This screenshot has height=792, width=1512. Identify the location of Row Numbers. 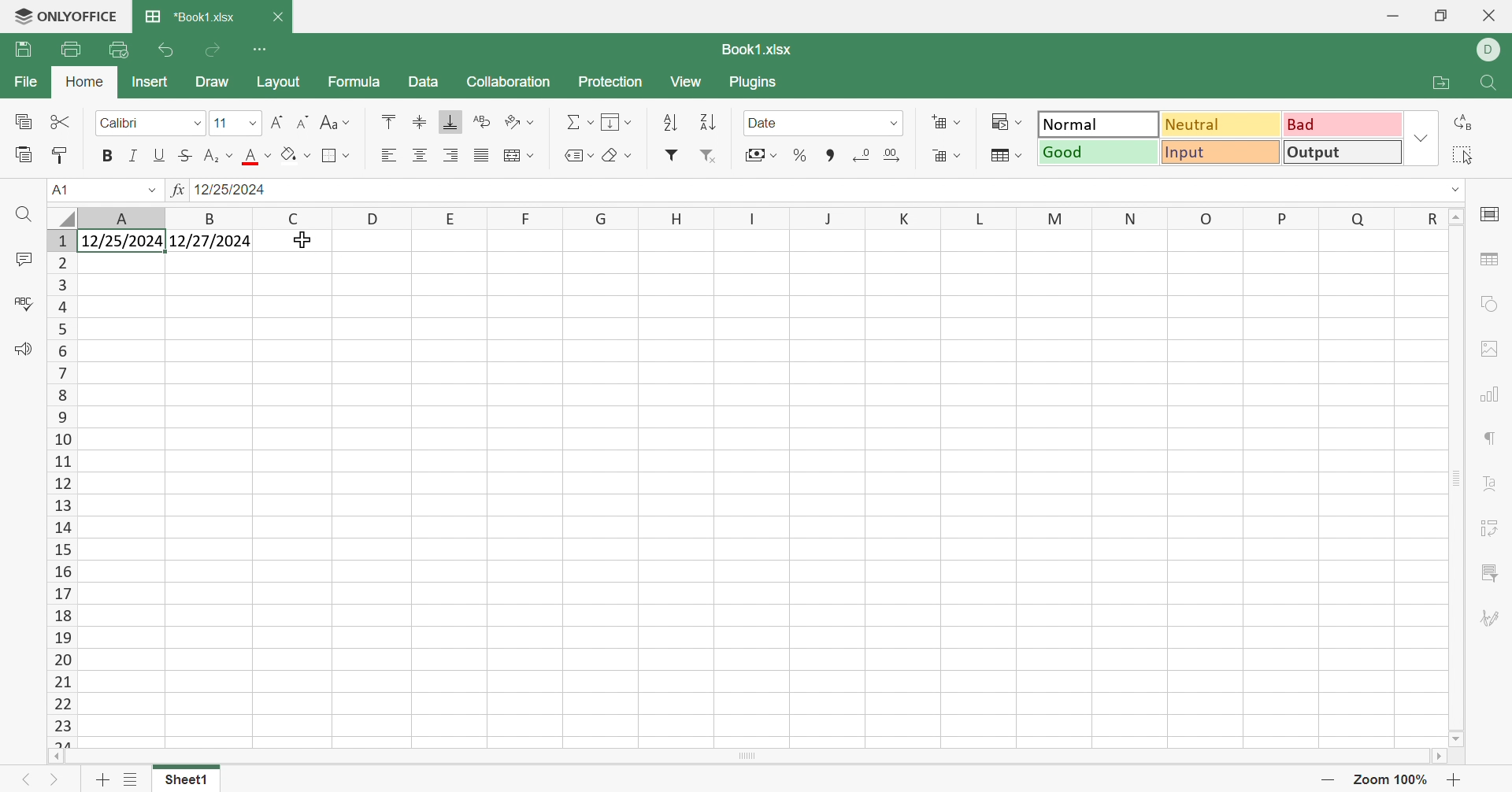
(59, 491).